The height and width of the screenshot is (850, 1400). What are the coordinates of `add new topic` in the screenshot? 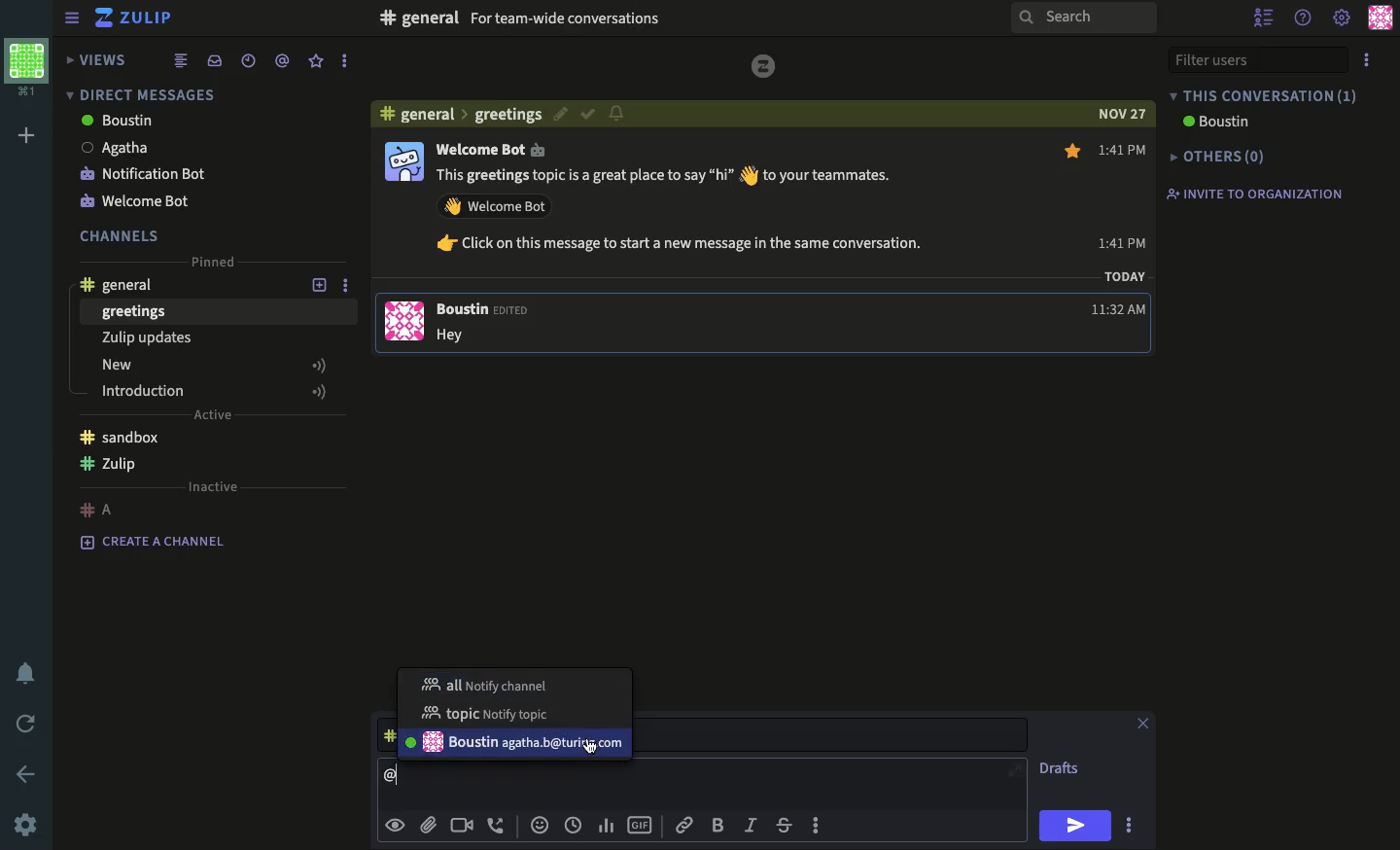 It's located at (320, 287).